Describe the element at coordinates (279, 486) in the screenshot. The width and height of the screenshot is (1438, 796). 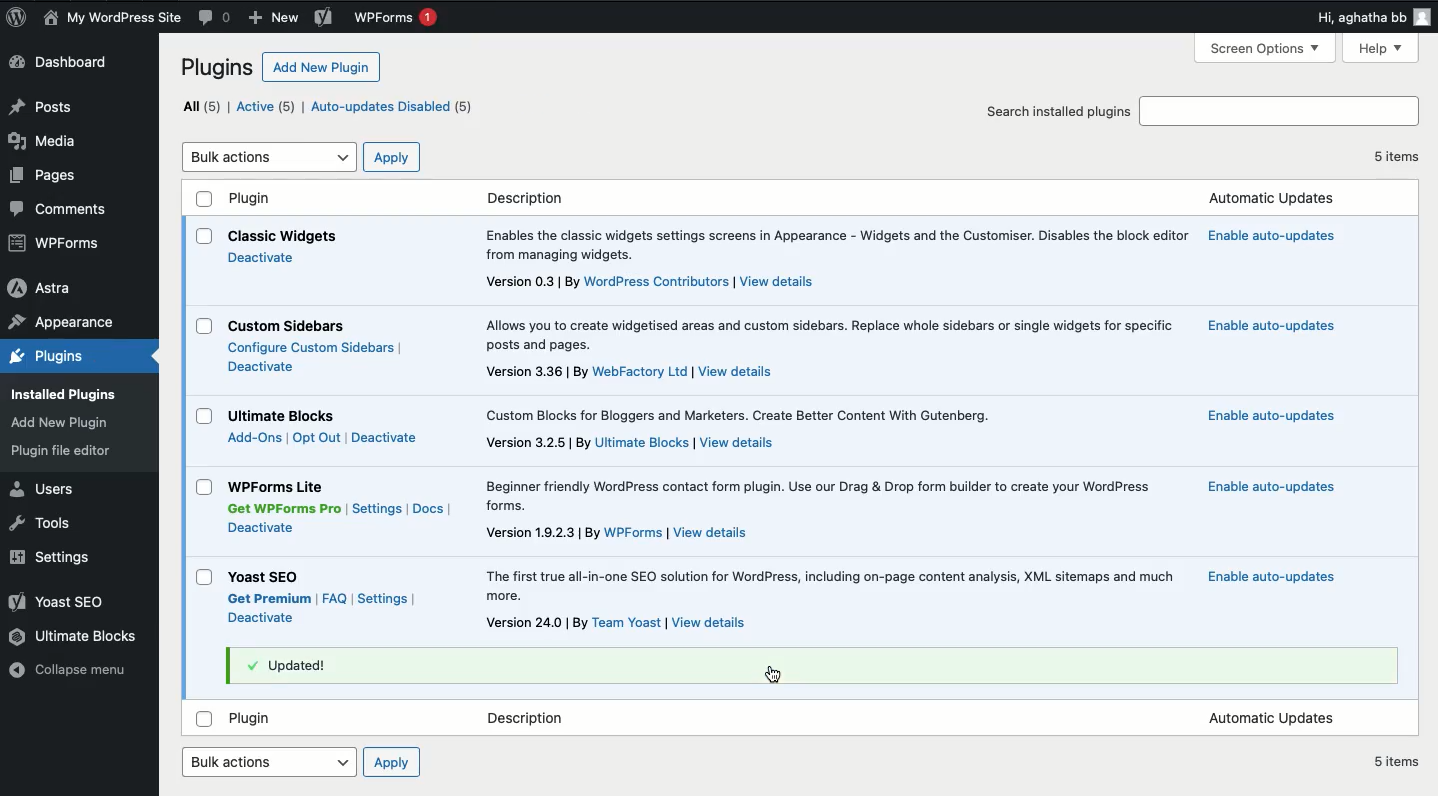
I see `Plugin` at that location.